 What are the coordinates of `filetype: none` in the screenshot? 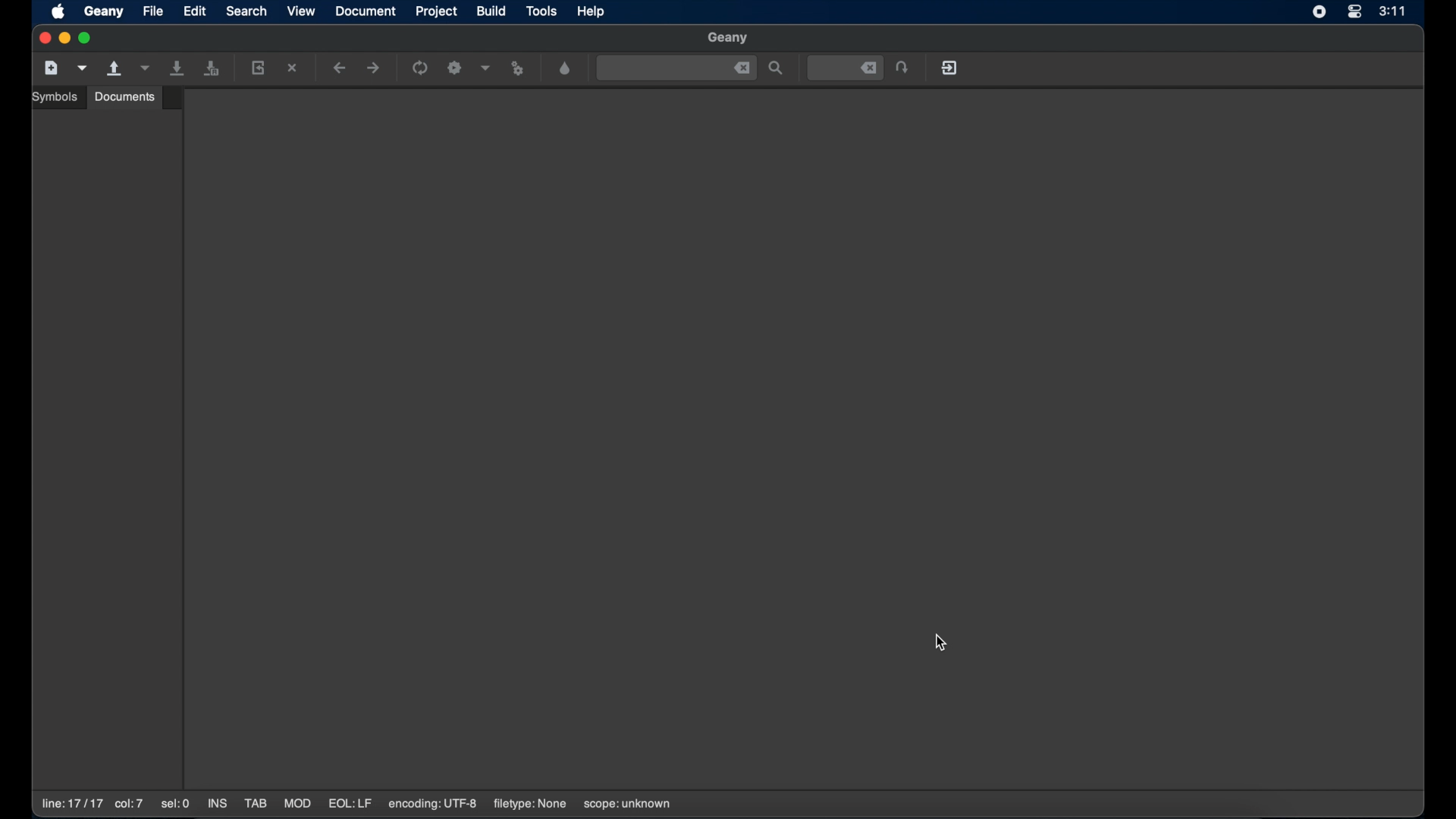 It's located at (529, 804).